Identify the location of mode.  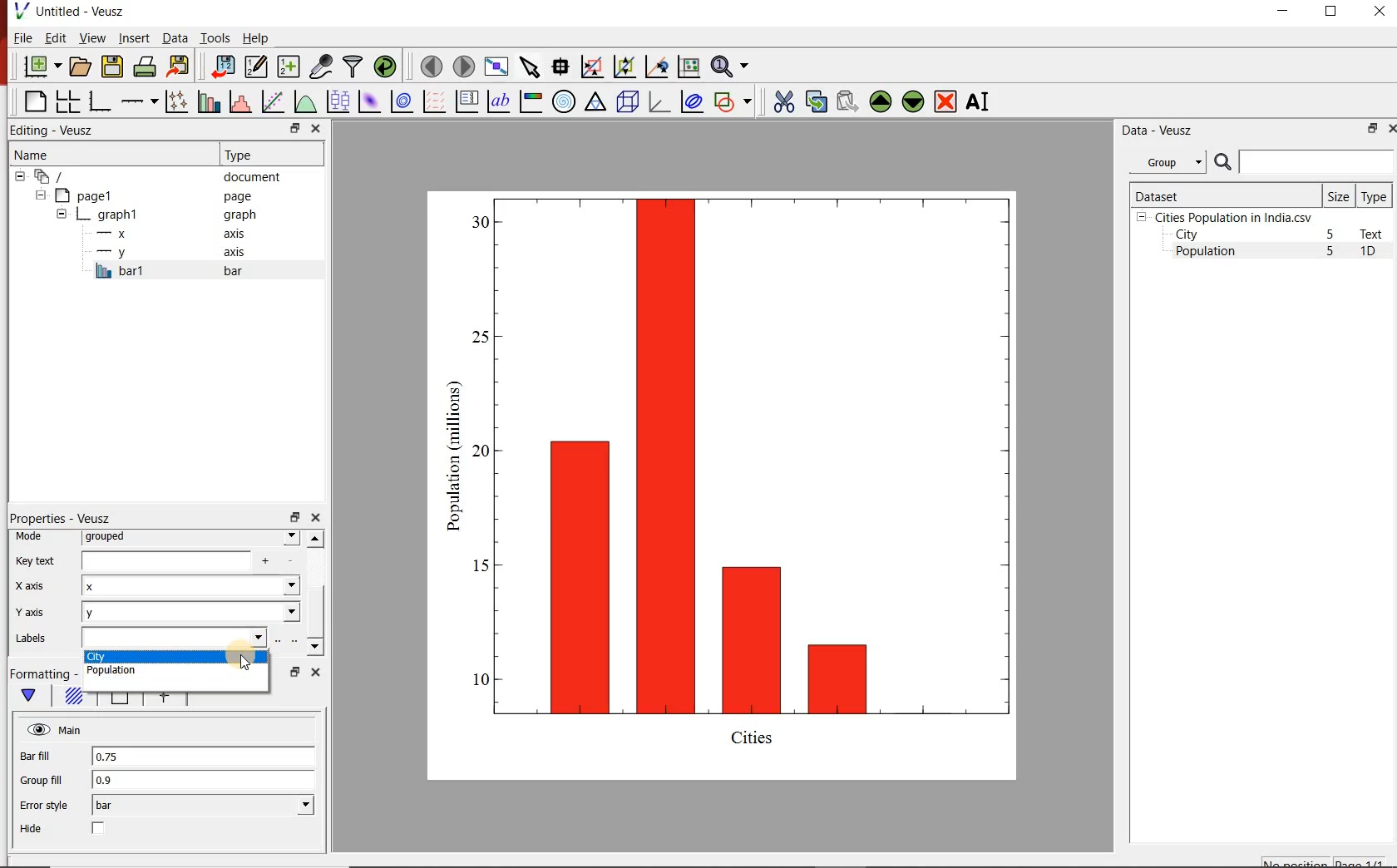
(33, 537).